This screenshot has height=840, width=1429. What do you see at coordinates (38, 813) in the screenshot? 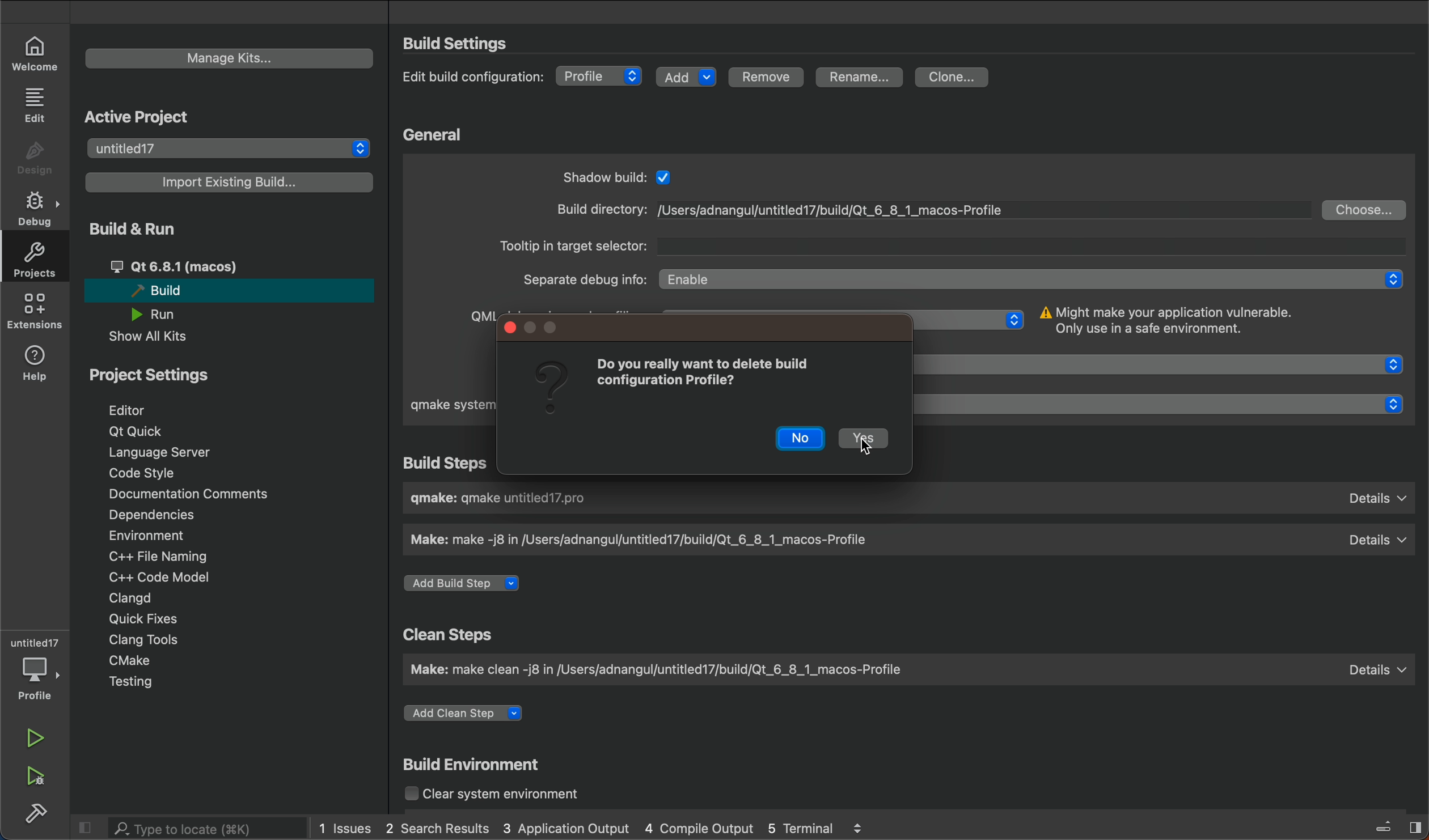
I see `build` at bounding box center [38, 813].